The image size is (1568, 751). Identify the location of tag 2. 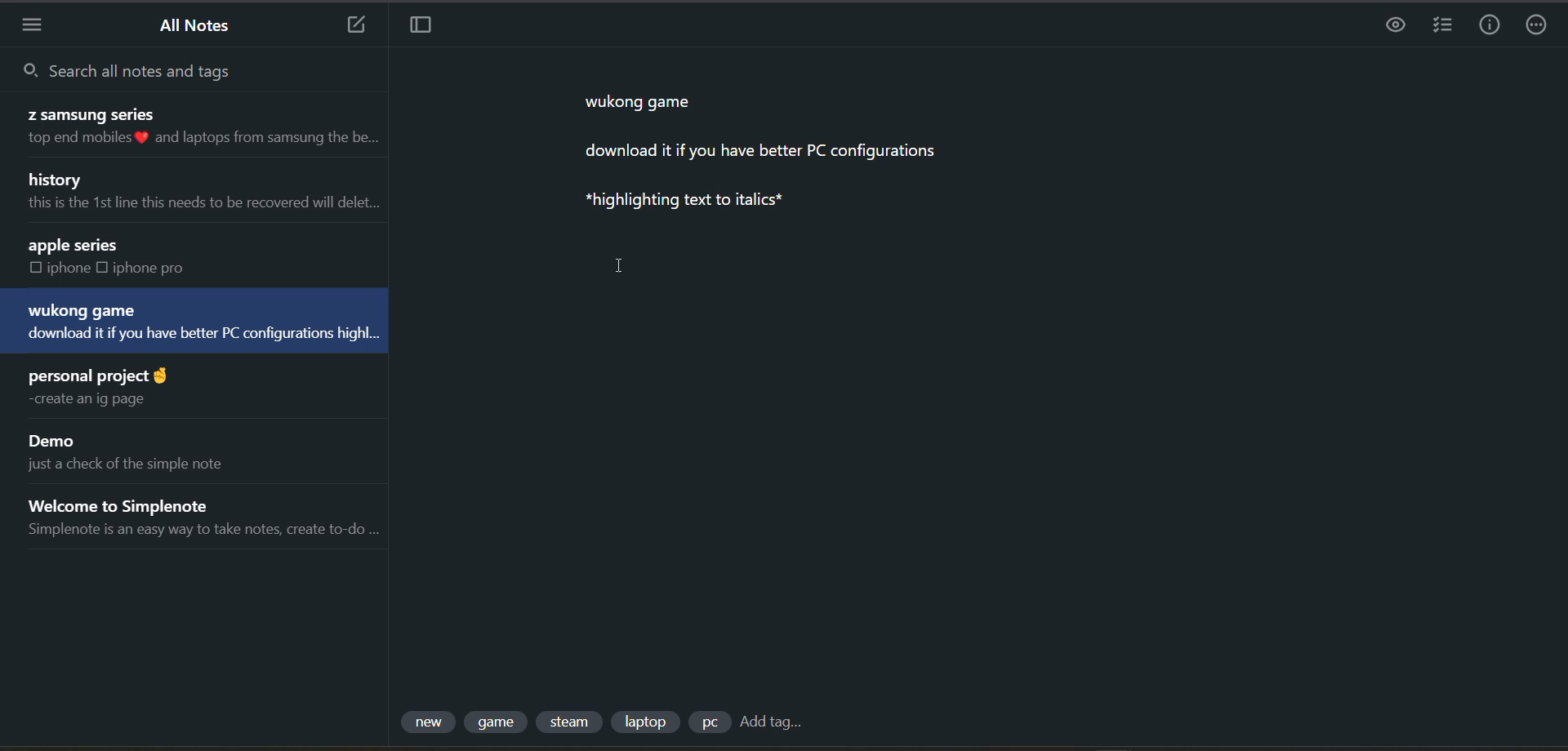
(501, 725).